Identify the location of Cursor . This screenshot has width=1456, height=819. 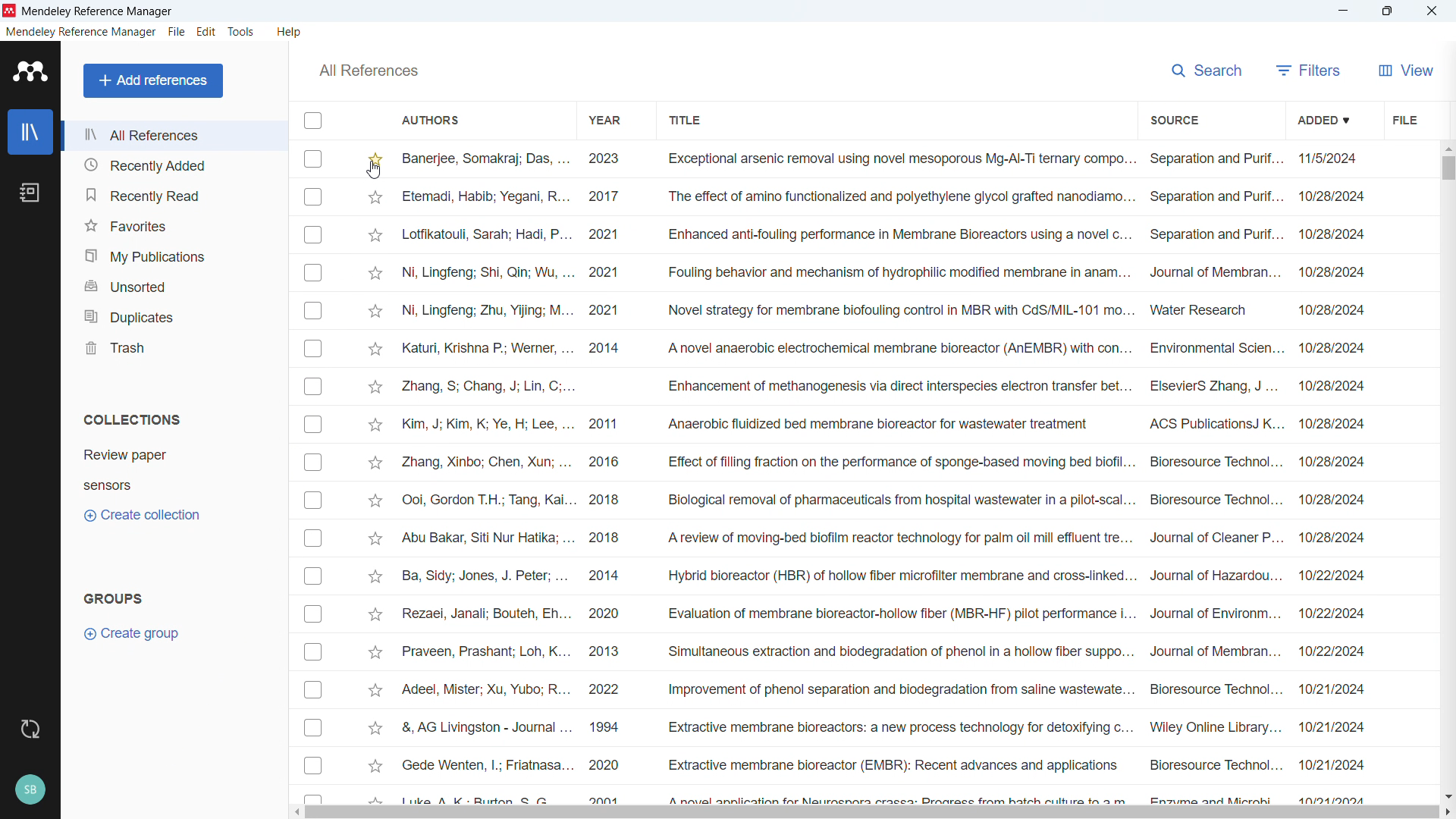
(373, 170).